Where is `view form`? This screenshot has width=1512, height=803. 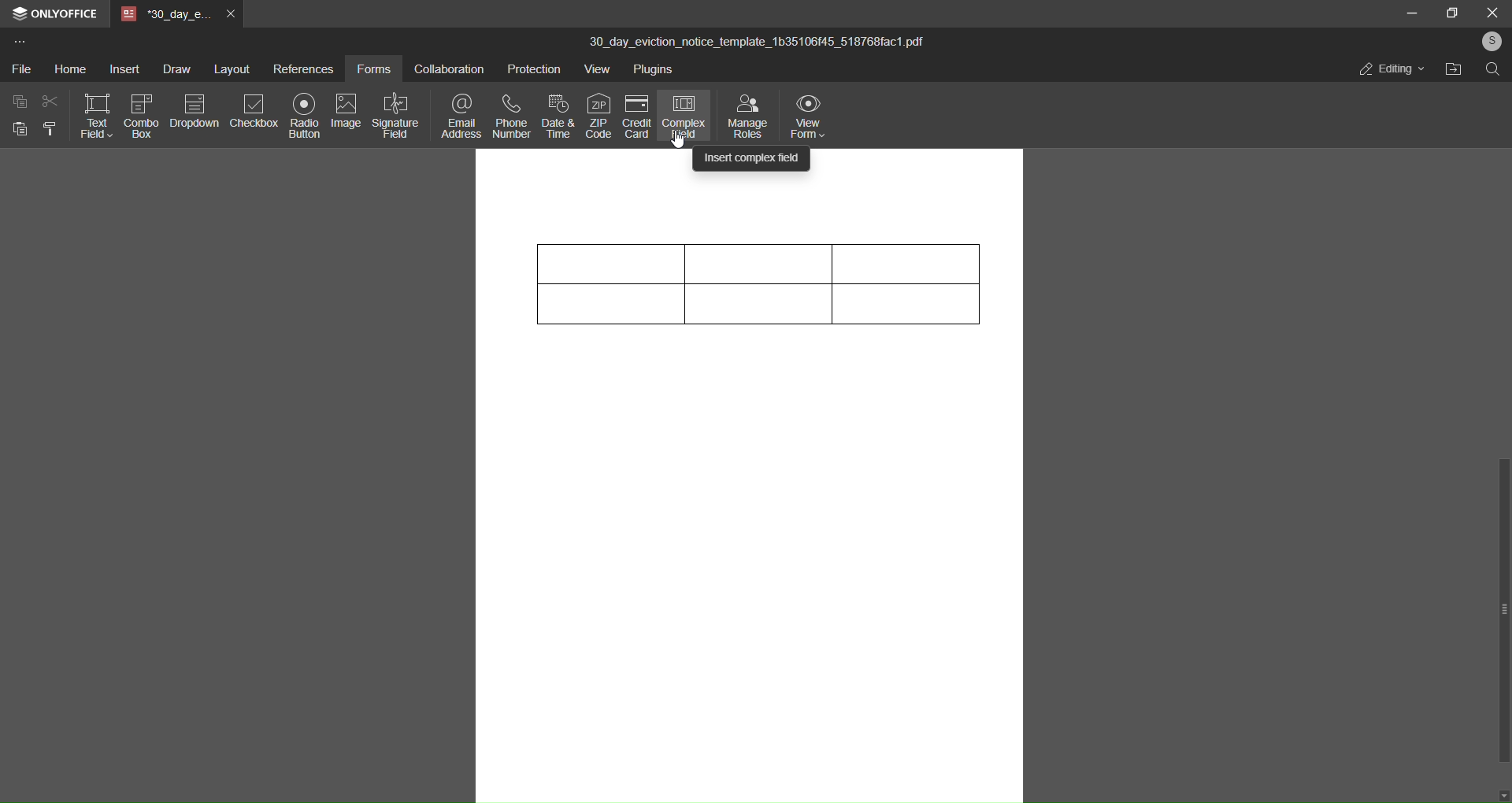
view form is located at coordinates (808, 113).